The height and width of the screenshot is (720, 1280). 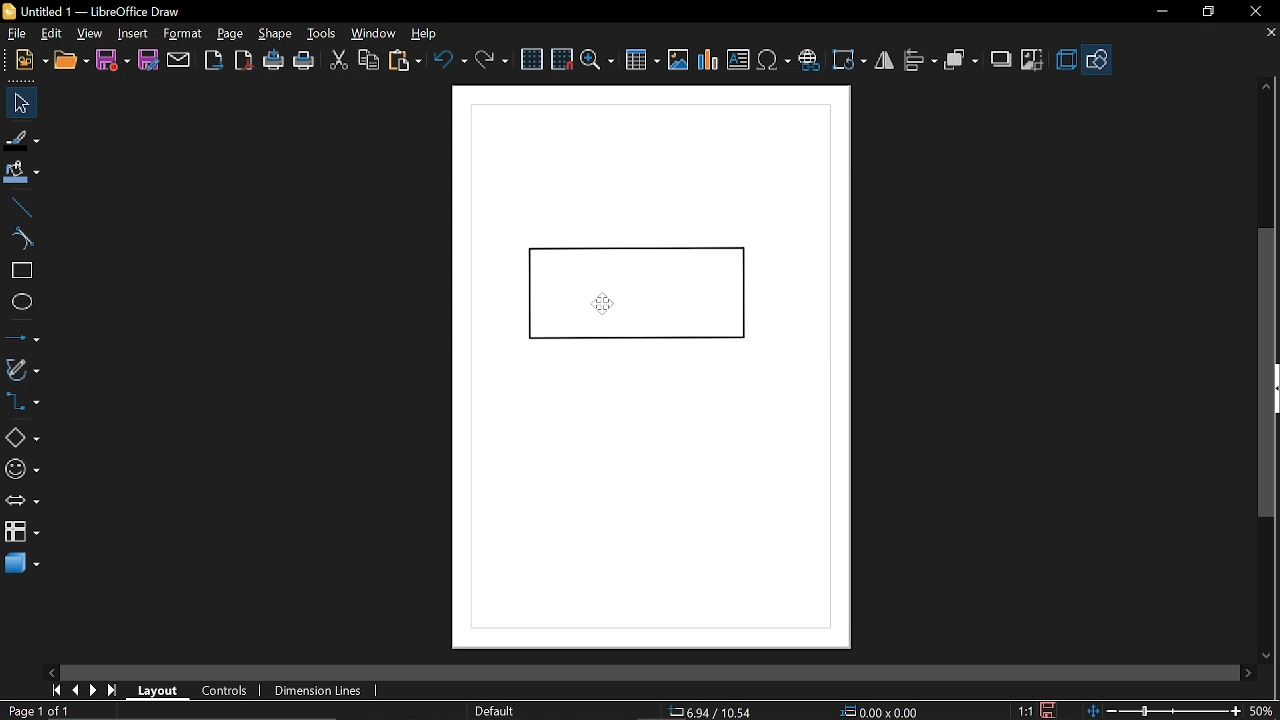 I want to click on Page style (Default), so click(x=495, y=710).